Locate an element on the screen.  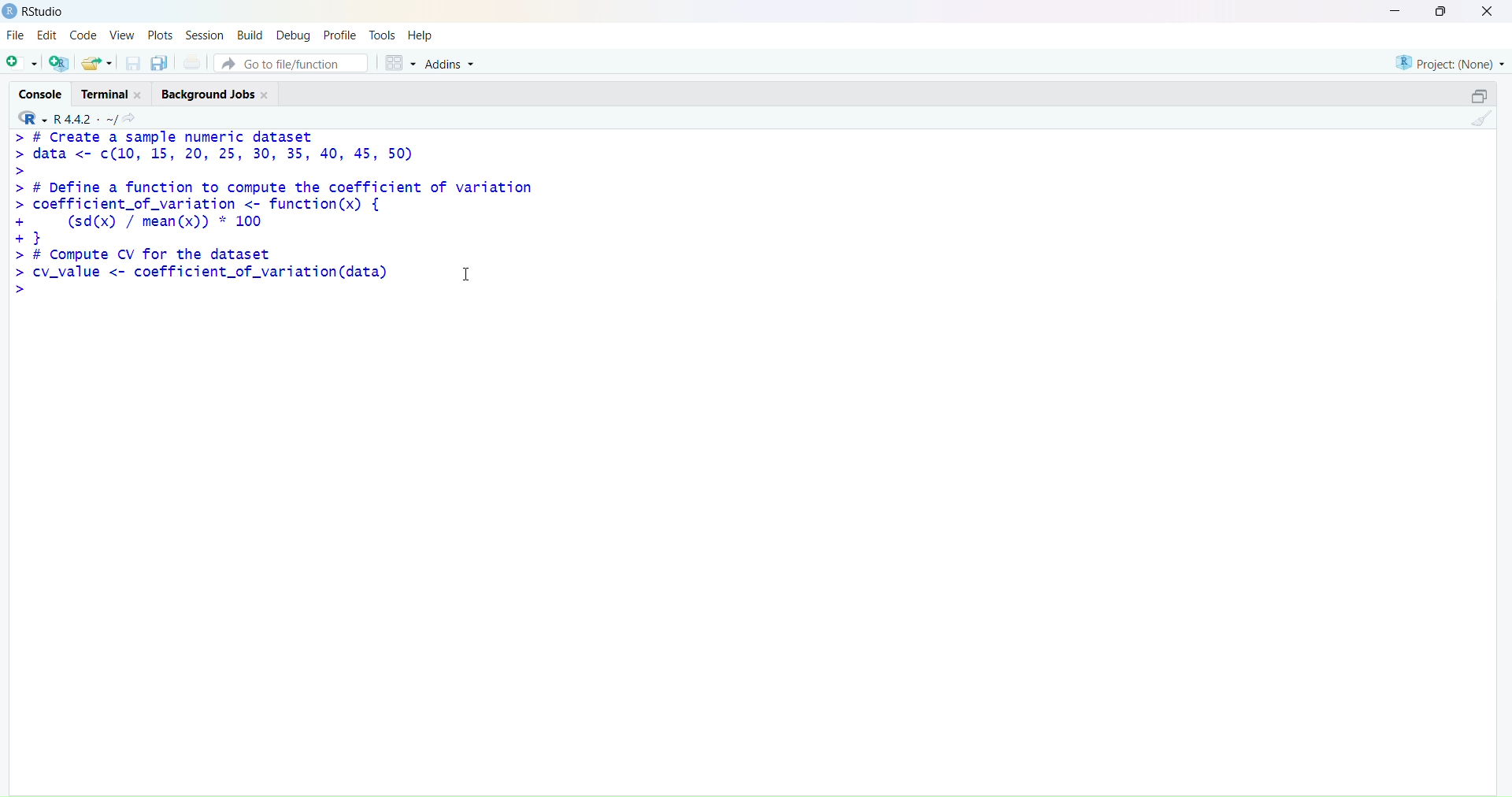
logo is located at coordinates (11, 11).